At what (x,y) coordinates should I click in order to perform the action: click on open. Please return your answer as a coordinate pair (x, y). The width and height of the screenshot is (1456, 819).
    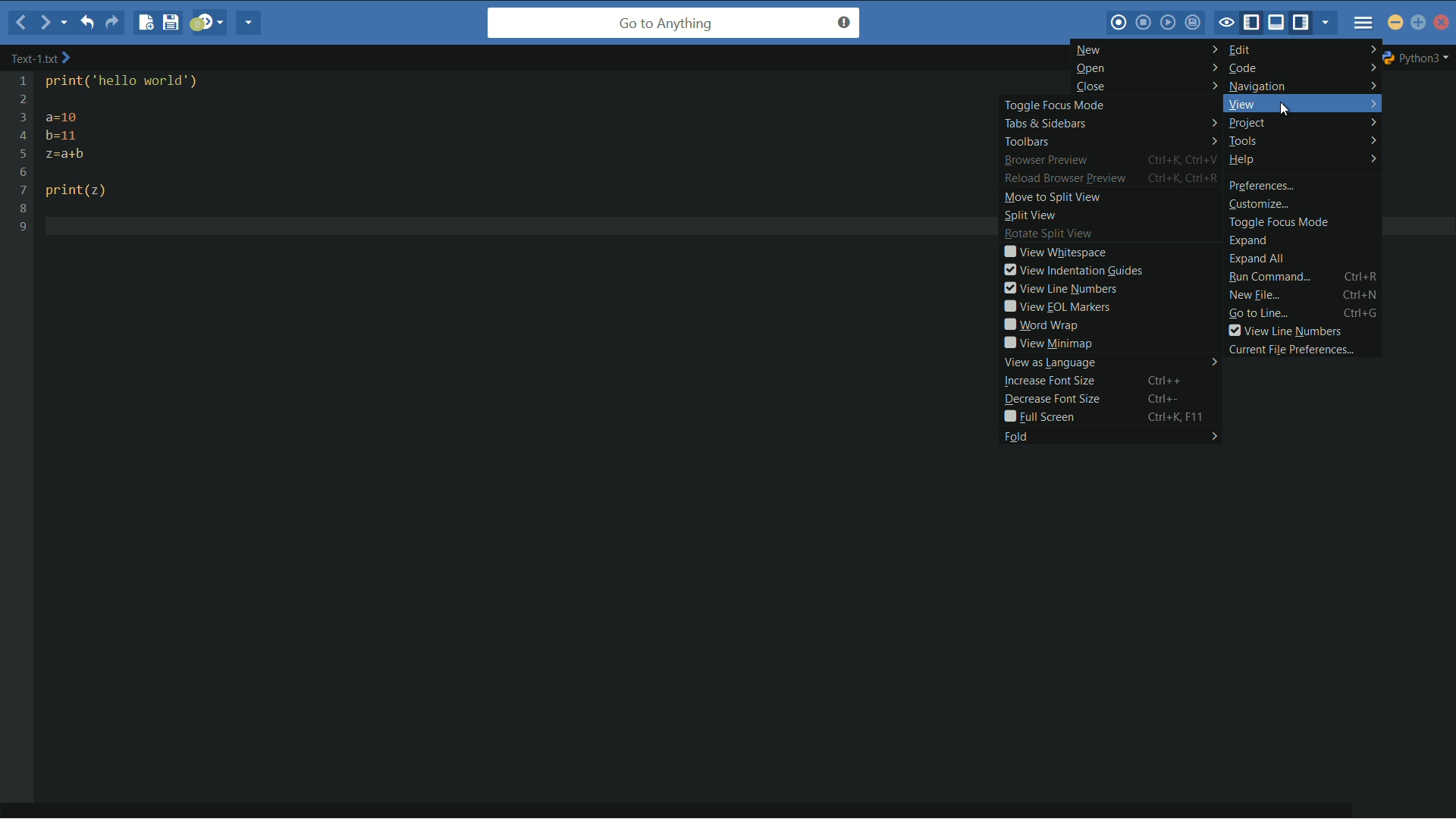
    Looking at the image, I should click on (1145, 70).